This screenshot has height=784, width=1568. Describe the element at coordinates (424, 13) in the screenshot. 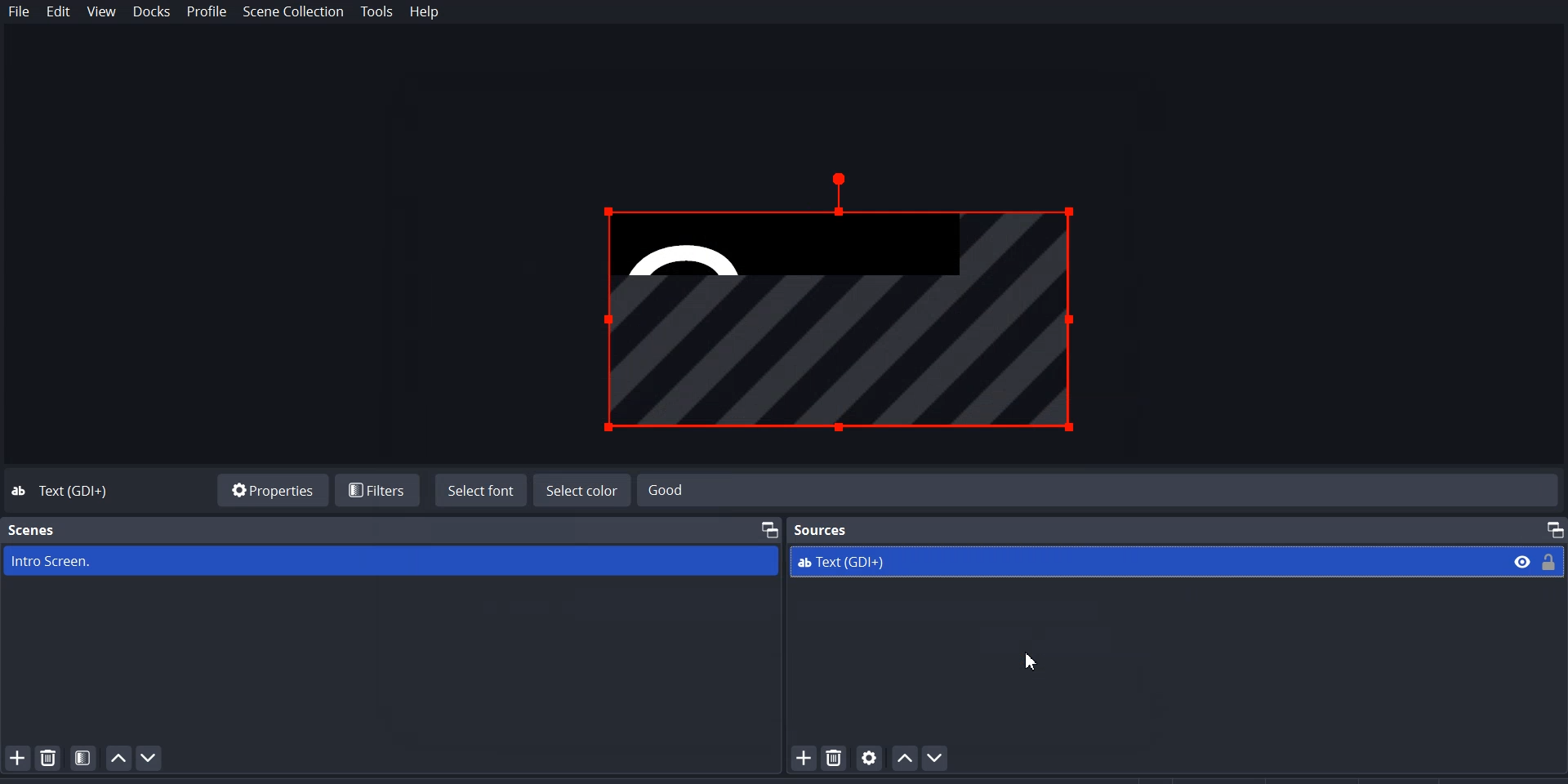

I see `Help` at that location.